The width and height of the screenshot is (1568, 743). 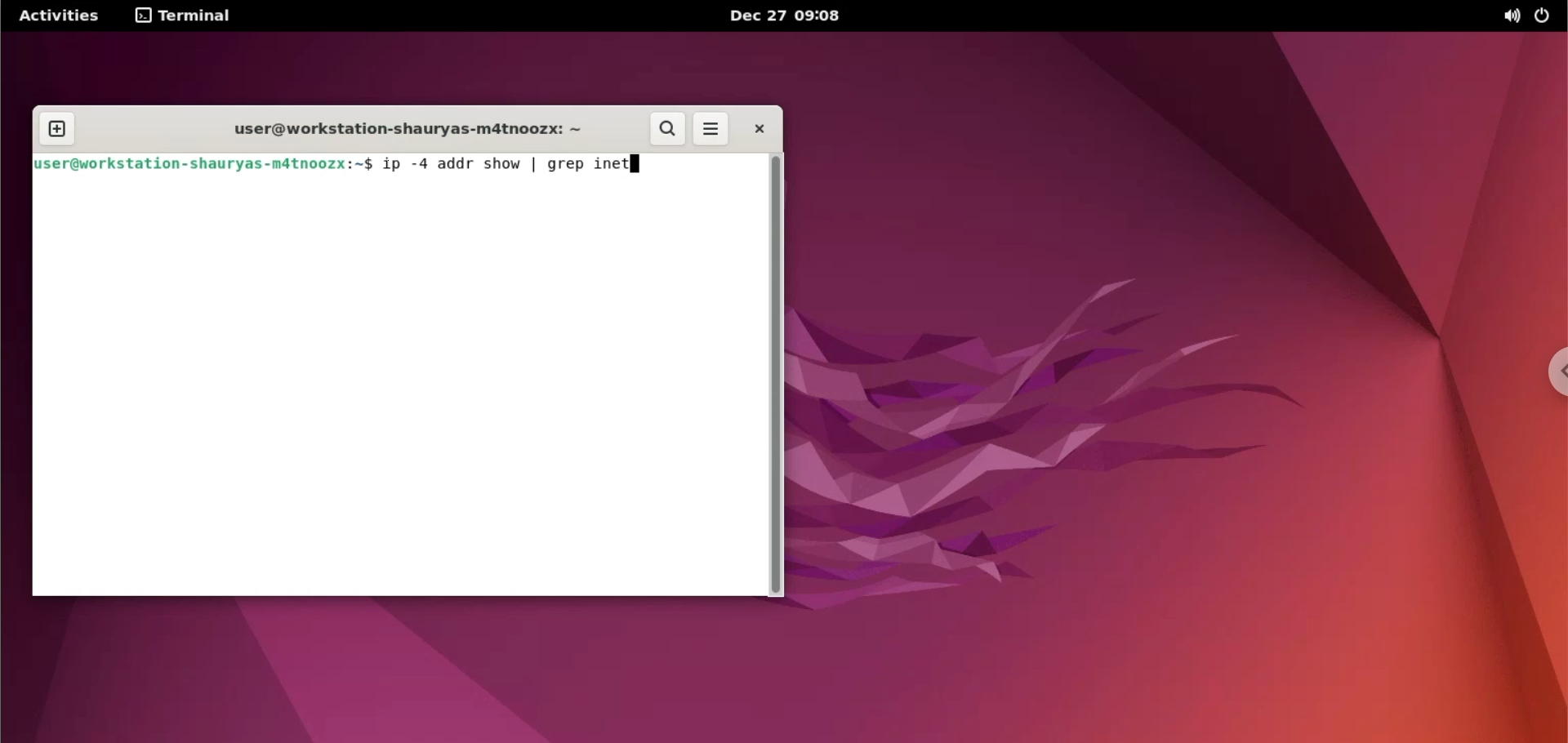 I want to click on close, so click(x=759, y=131).